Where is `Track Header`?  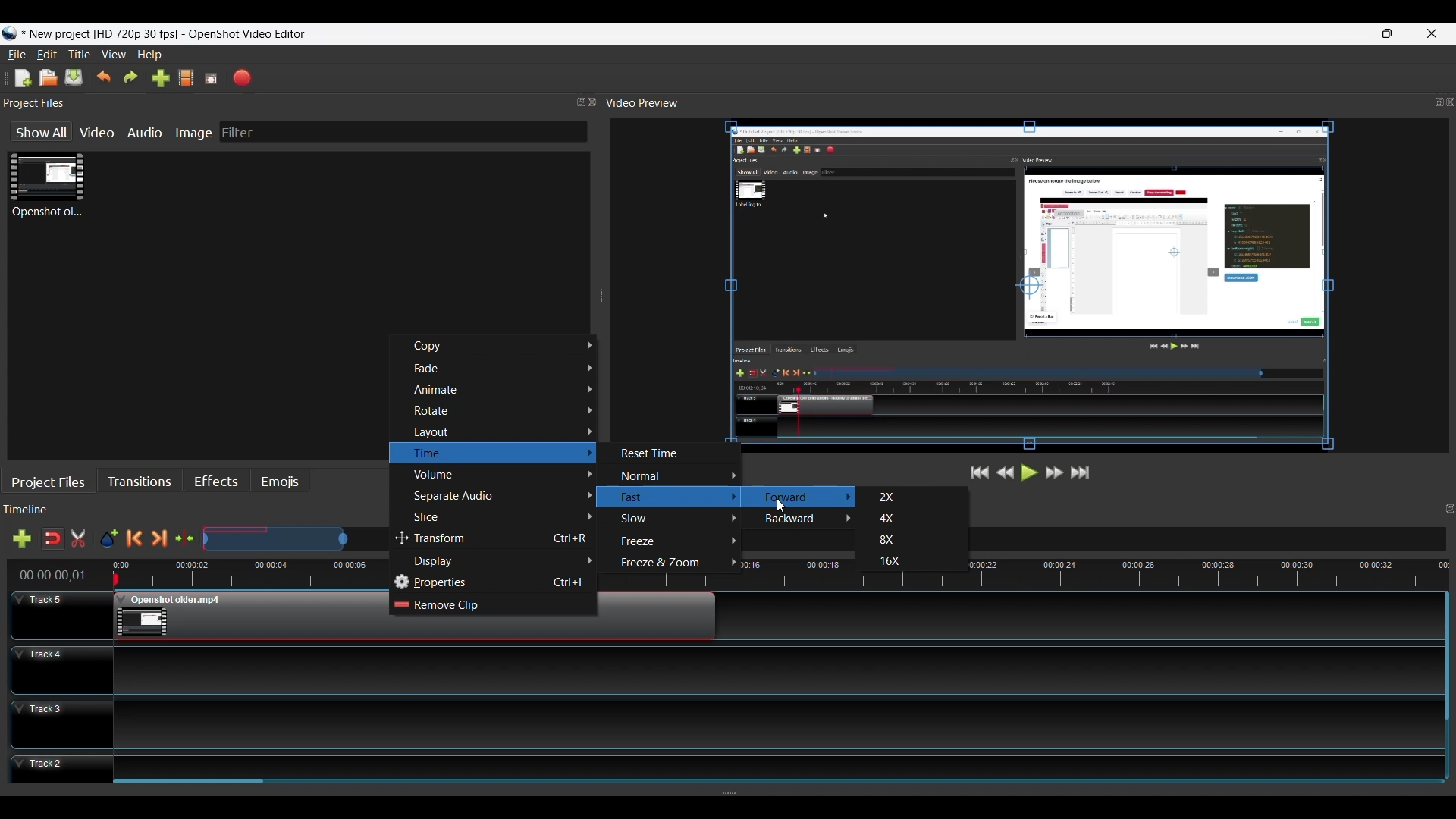
Track Header is located at coordinates (61, 769).